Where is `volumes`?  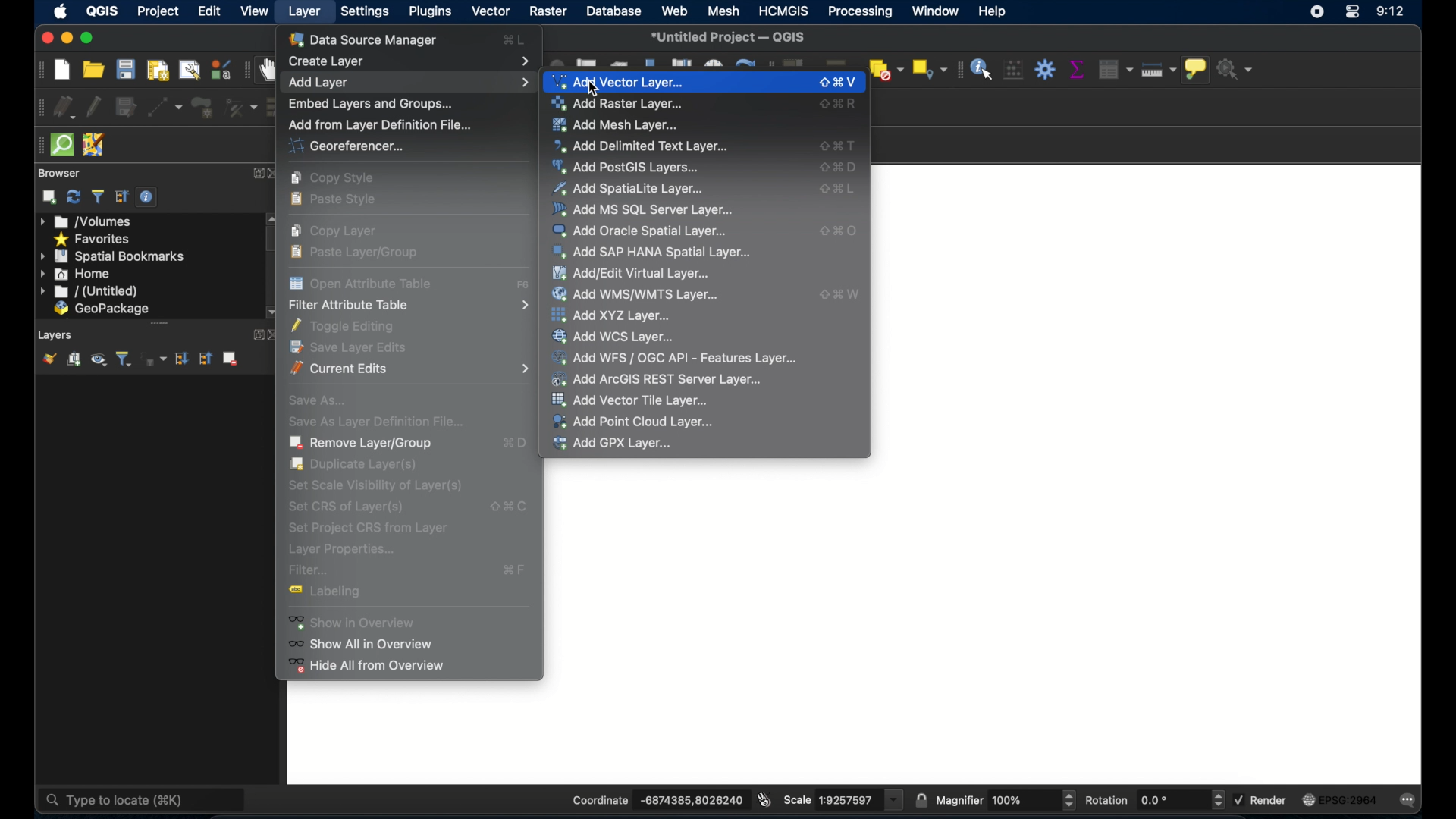
volumes is located at coordinates (93, 221).